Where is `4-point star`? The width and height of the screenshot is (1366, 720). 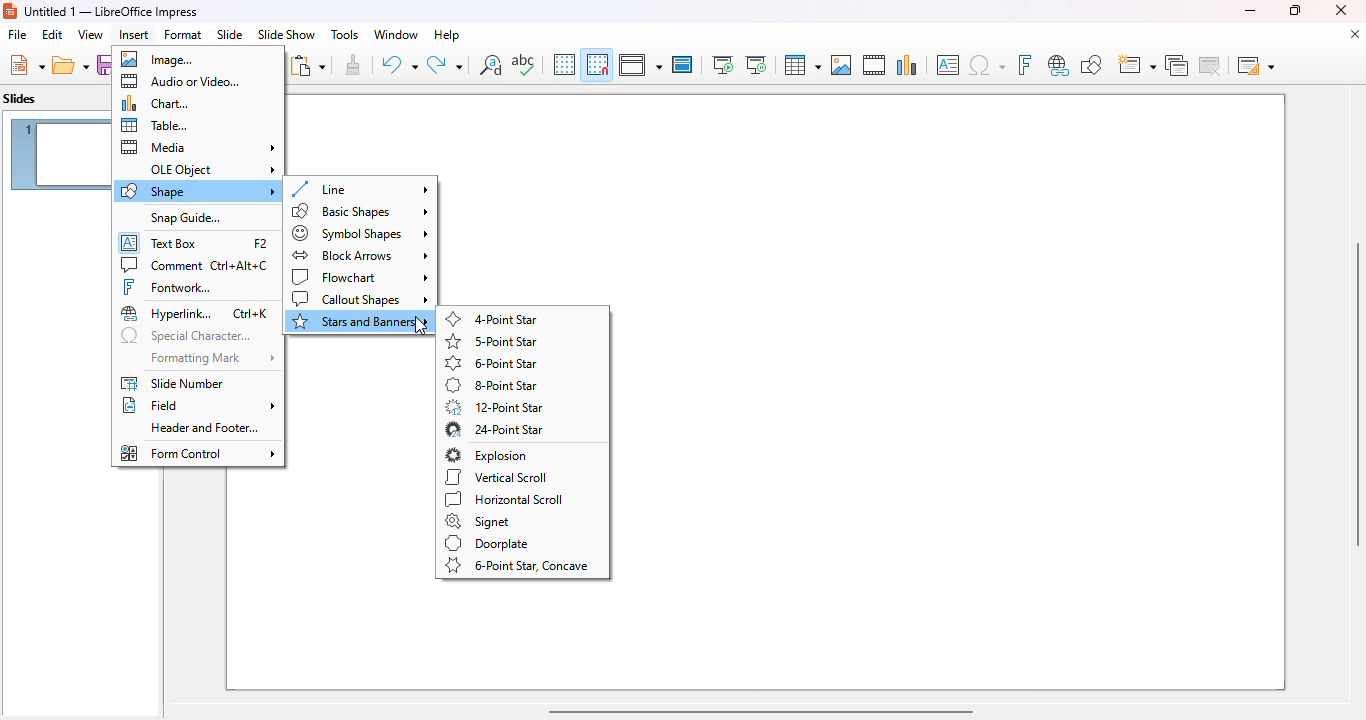 4-point star is located at coordinates (493, 319).